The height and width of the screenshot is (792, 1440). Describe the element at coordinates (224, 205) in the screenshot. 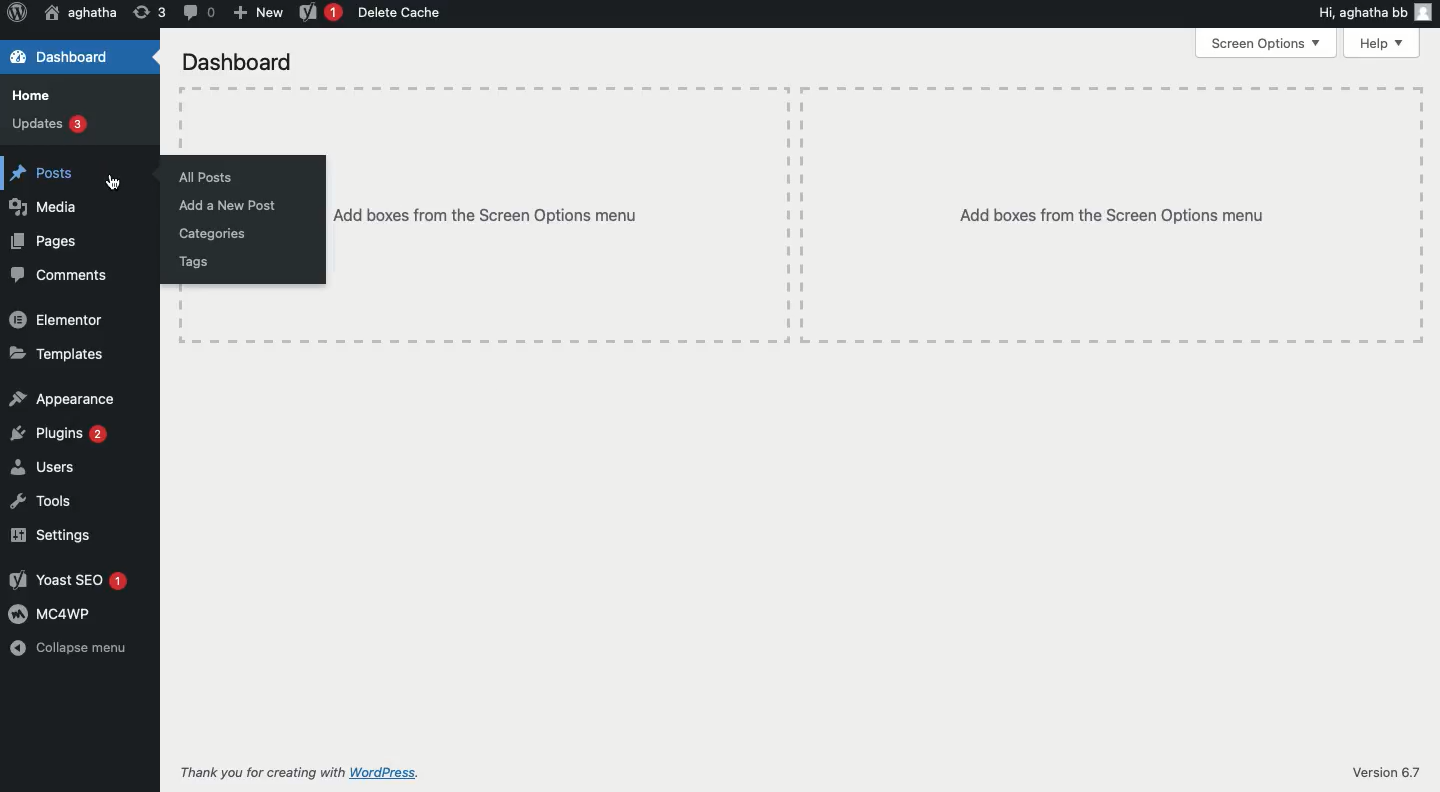

I see `Add a new post` at that location.